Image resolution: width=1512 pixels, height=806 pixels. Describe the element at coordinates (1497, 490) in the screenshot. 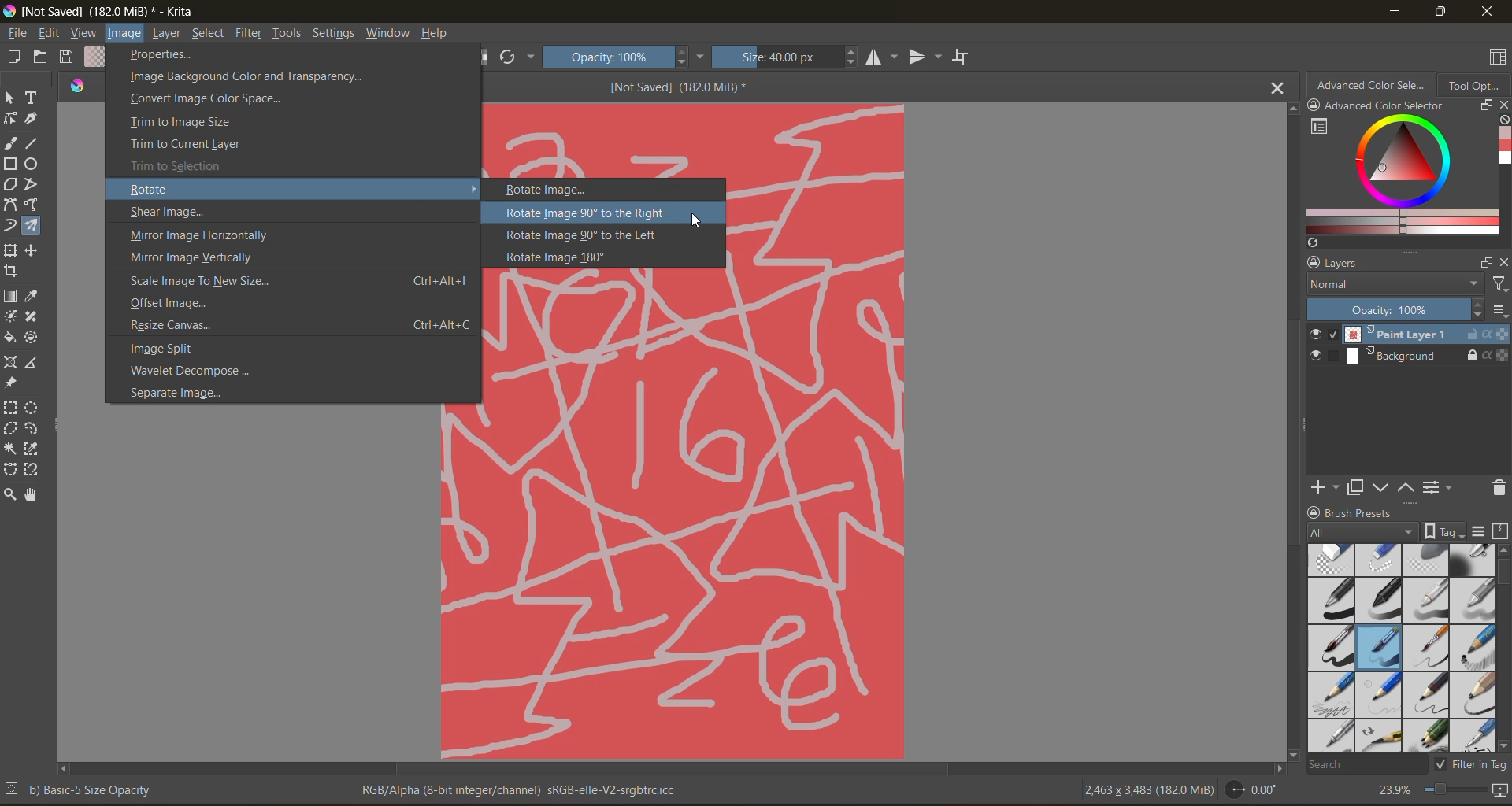

I see `delete layer` at that location.